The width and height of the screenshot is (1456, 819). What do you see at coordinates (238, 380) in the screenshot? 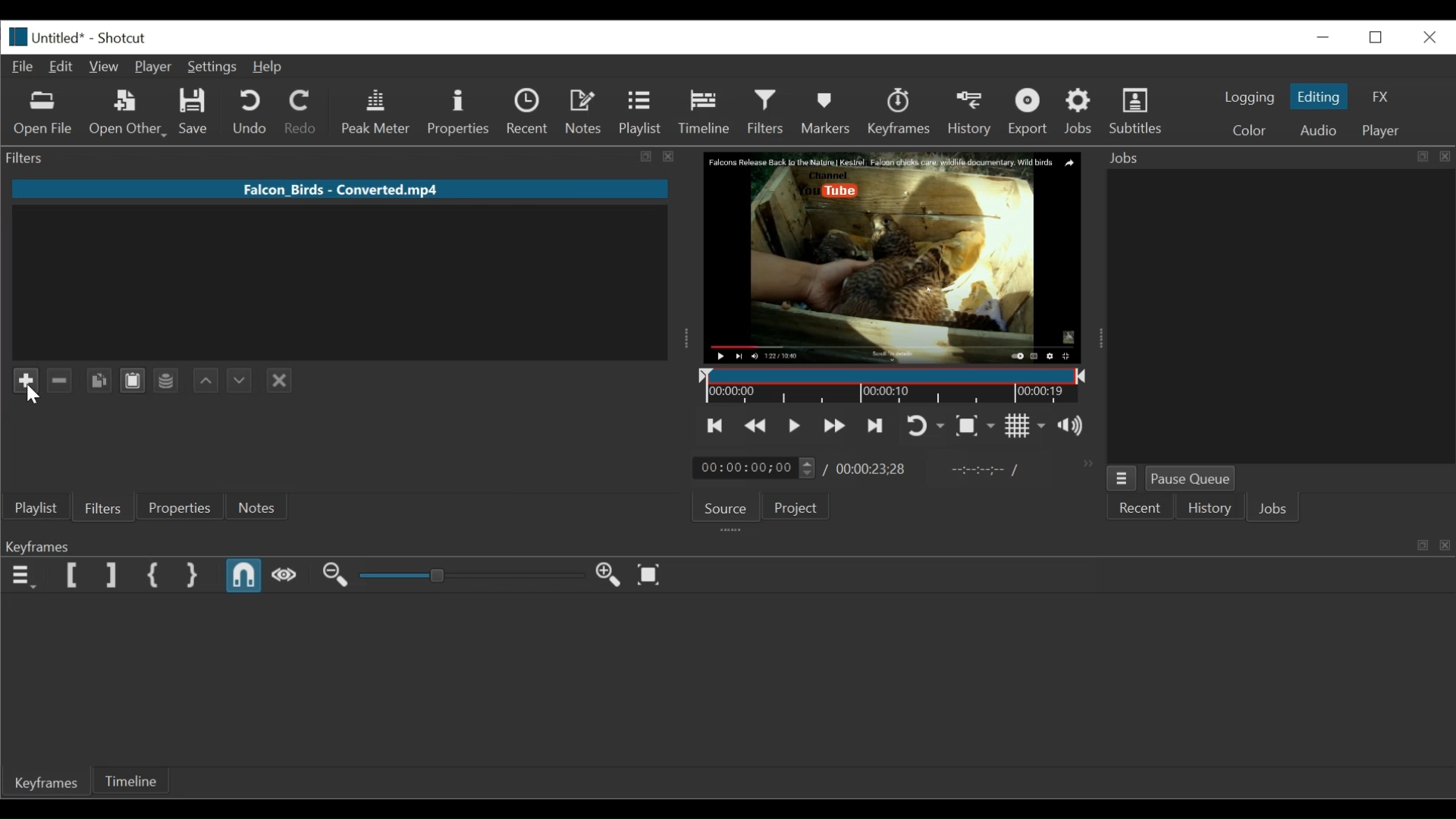
I see `Move filter down` at bounding box center [238, 380].